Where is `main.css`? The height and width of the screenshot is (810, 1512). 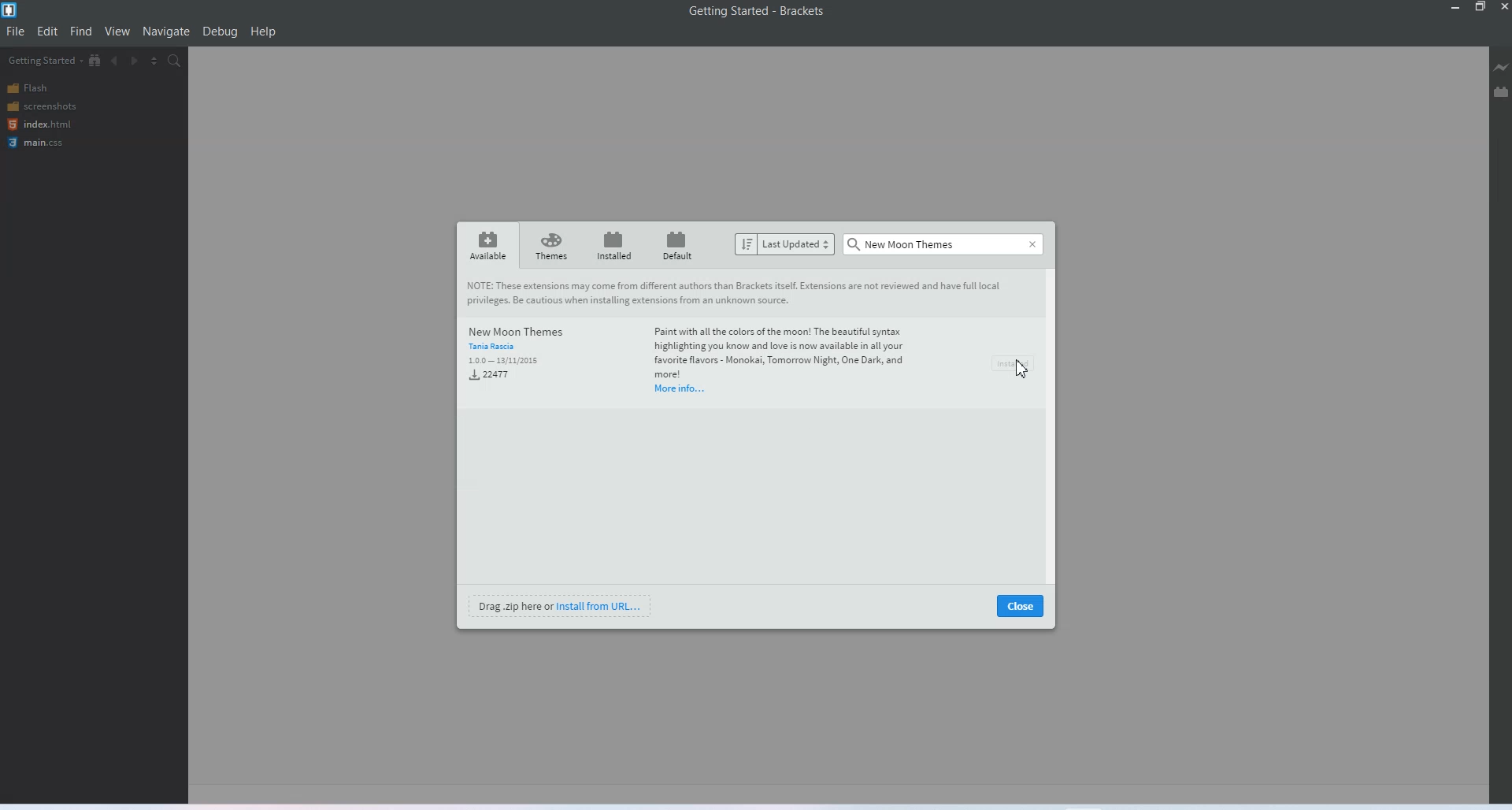
main.css is located at coordinates (38, 143).